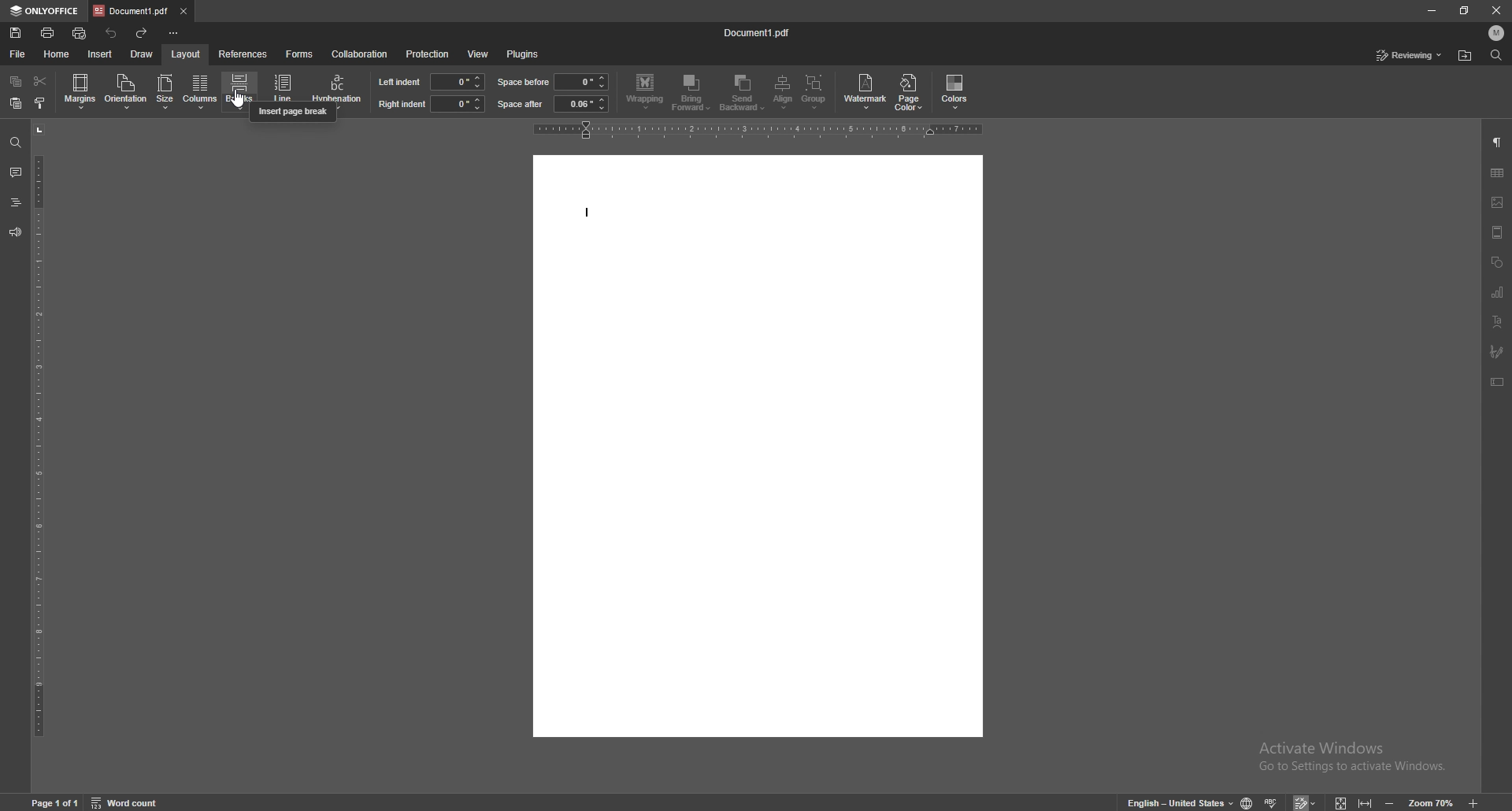 This screenshot has height=811, width=1512. What do you see at coordinates (757, 31) in the screenshot?
I see `file name` at bounding box center [757, 31].